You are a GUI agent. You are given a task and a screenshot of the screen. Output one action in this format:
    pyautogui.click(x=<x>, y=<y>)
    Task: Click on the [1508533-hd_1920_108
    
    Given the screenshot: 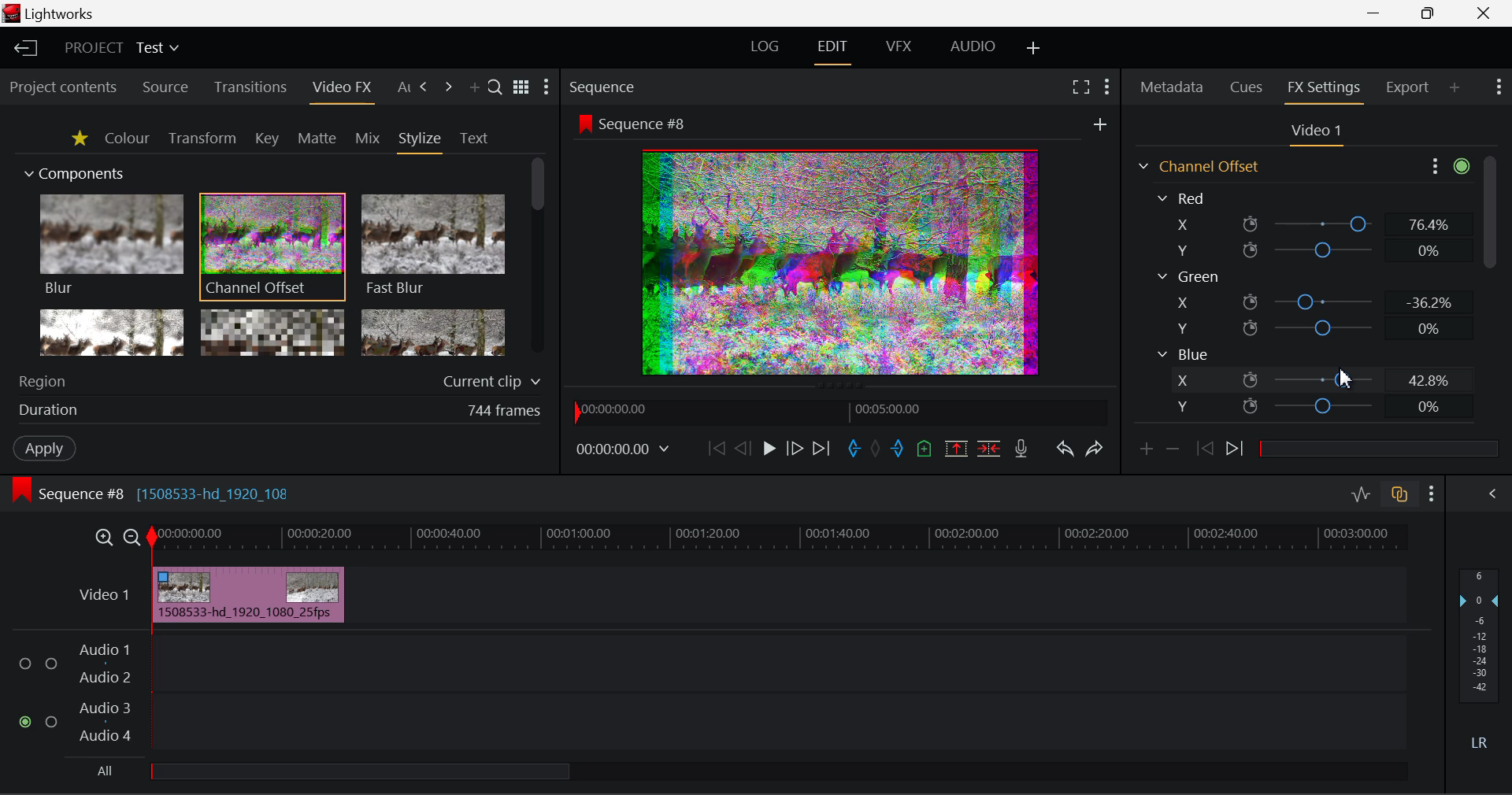 What is the action you would take?
    pyautogui.click(x=216, y=494)
    